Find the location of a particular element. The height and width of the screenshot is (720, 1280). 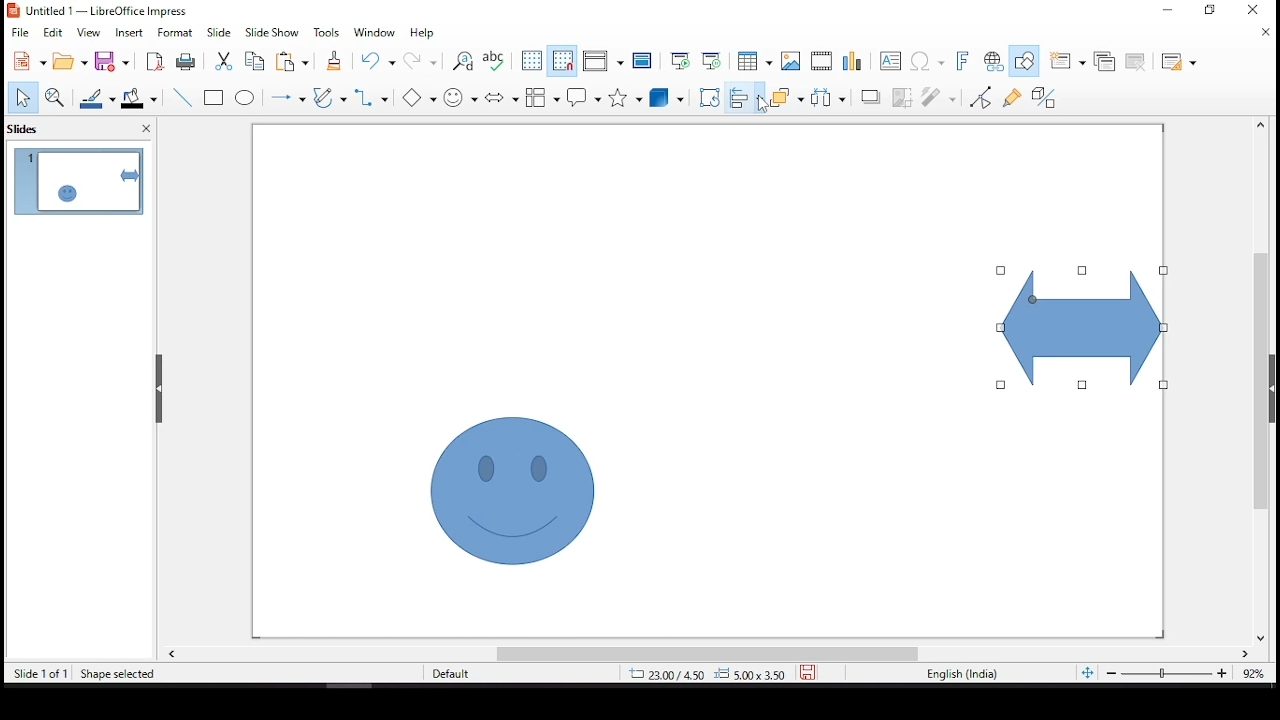

3D objects is located at coordinates (667, 99).